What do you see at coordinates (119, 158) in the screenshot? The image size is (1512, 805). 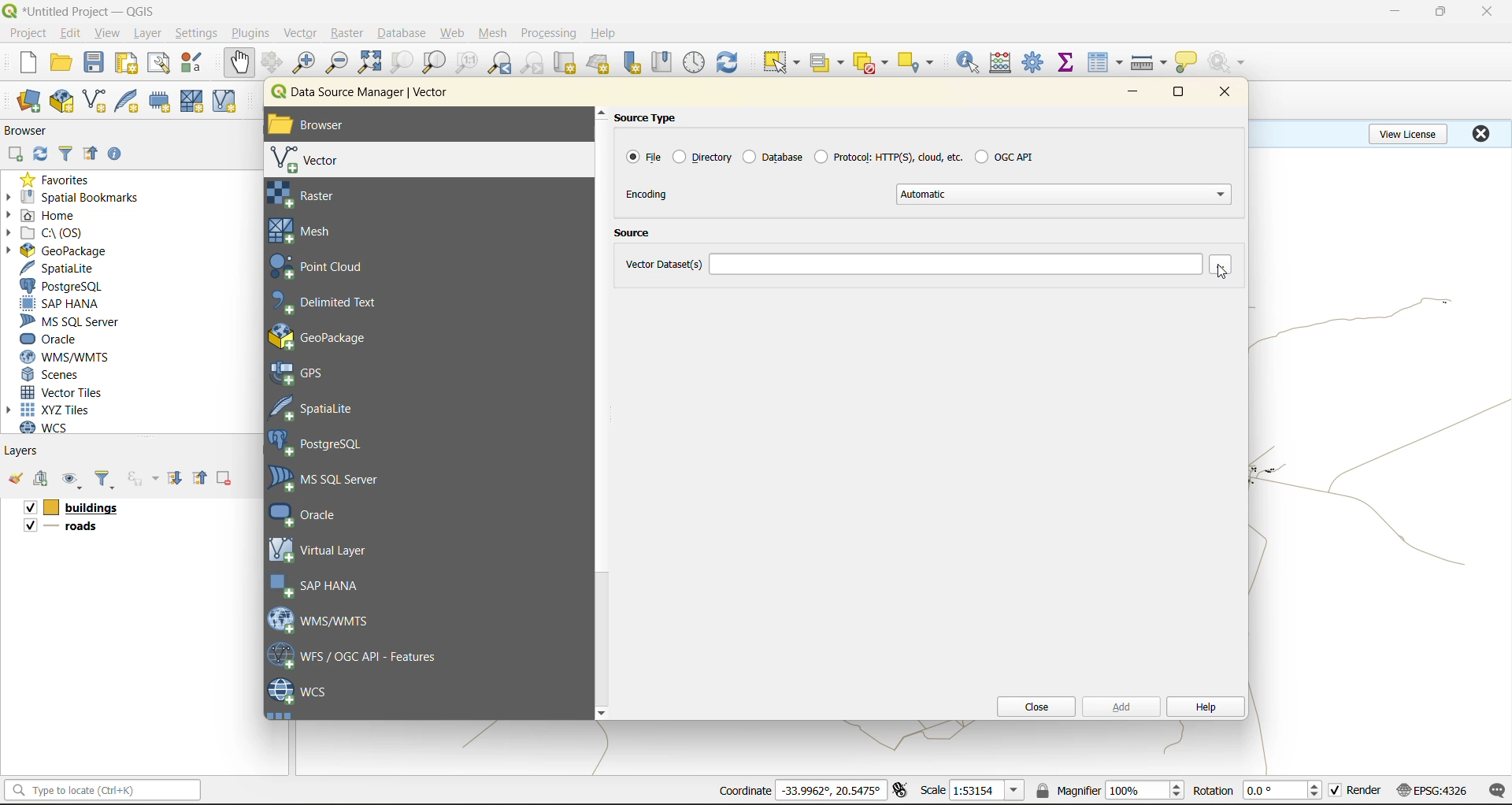 I see `enable/disable properties` at bounding box center [119, 158].